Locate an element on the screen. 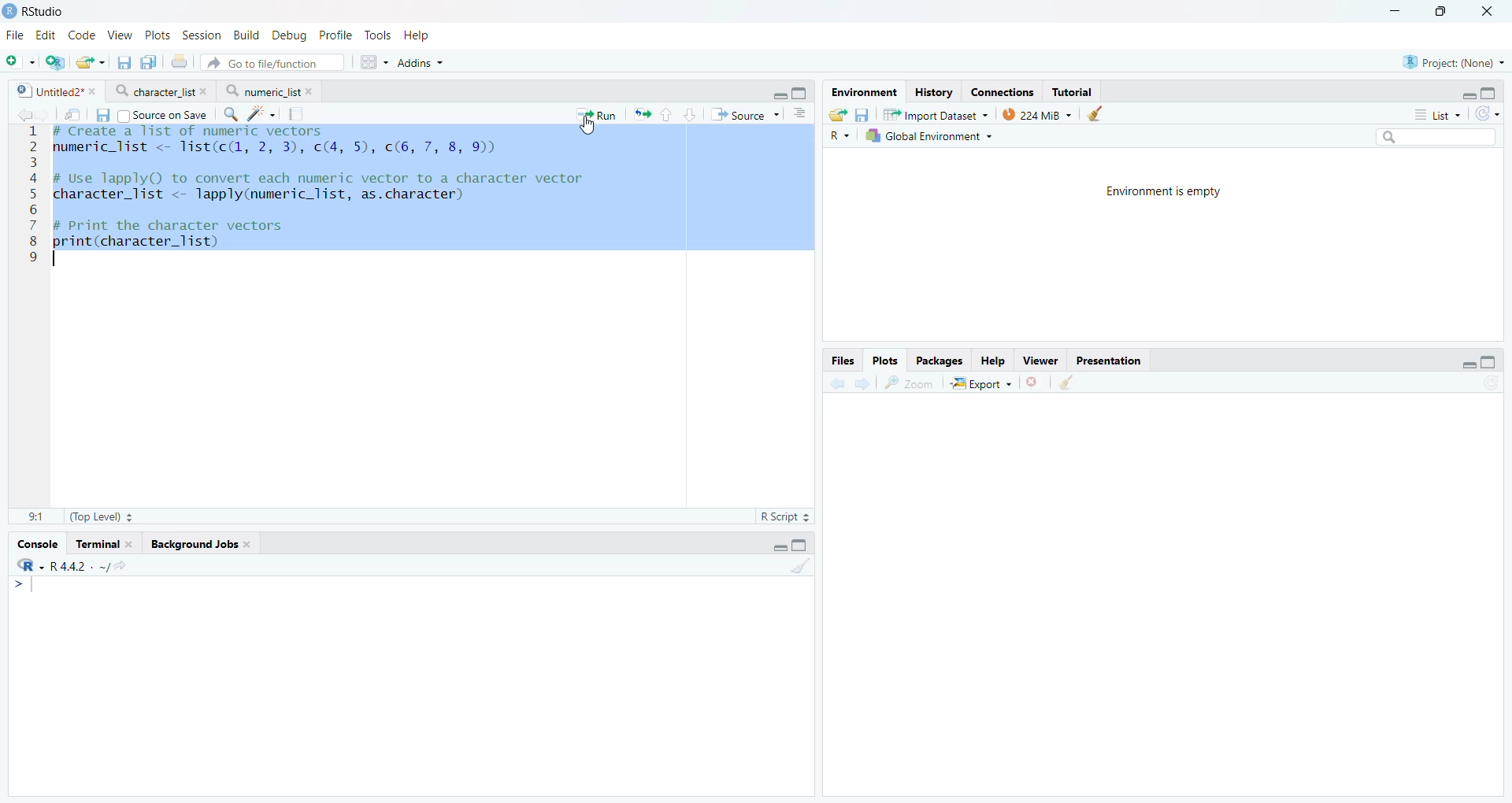 This screenshot has width=1512, height=803. Refresh list is located at coordinates (1492, 384).